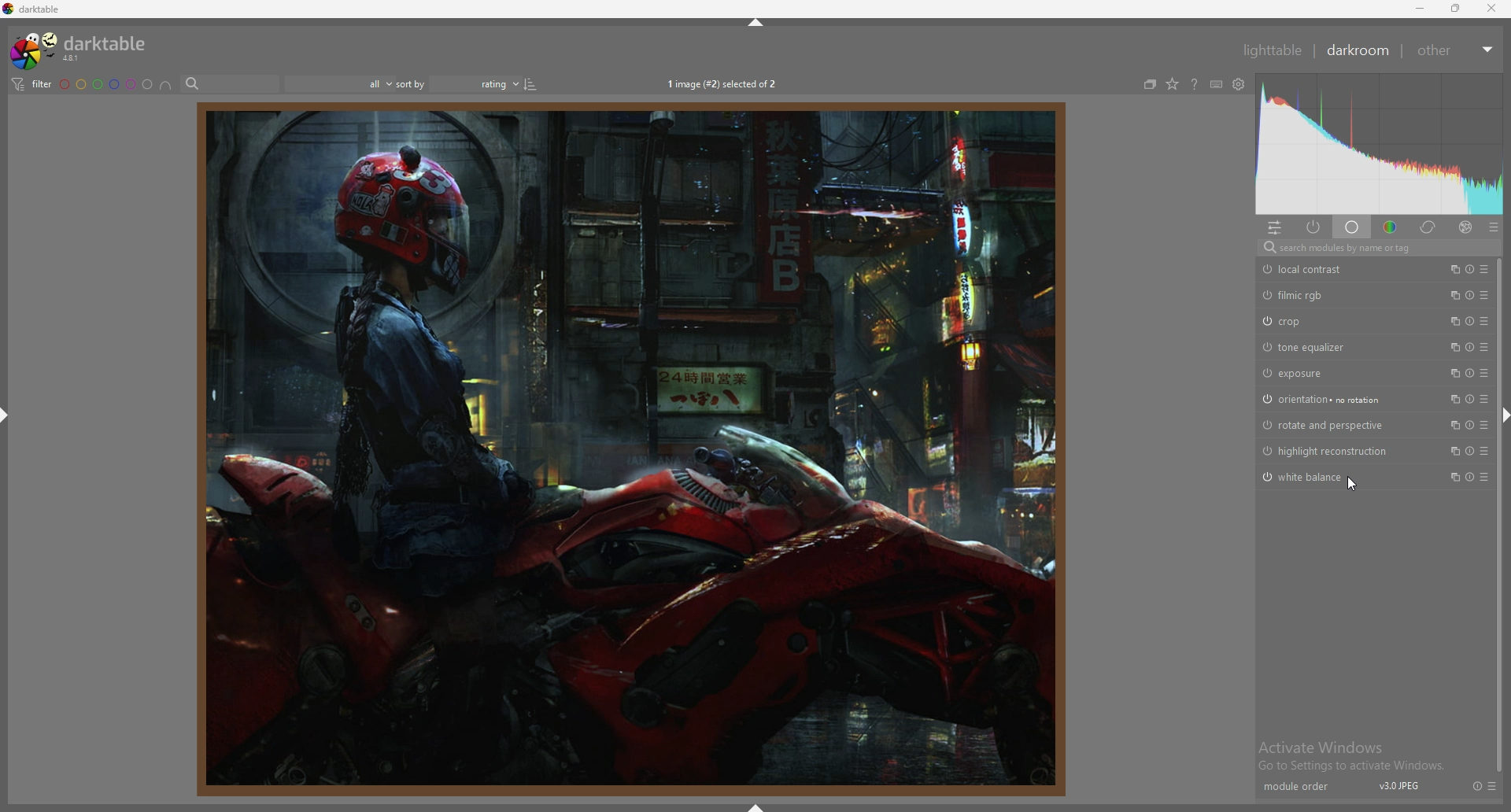 The height and width of the screenshot is (812, 1511). Describe the element at coordinates (1379, 146) in the screenshot. I see `heat map` at that location.